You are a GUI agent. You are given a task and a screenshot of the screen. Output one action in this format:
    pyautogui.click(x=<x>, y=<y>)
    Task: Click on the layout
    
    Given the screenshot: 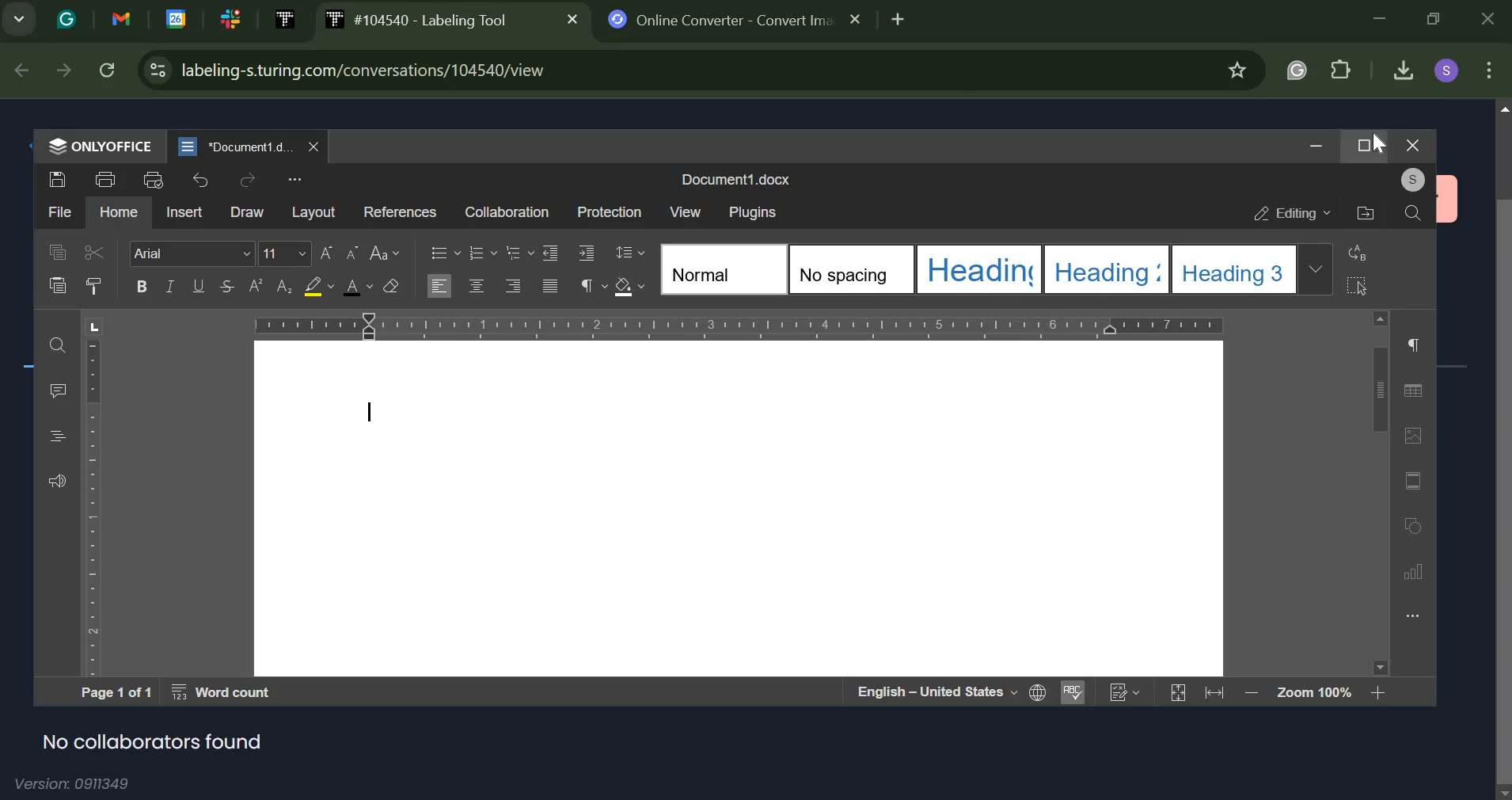 What is the action you would take?
    pyautogui.click(x=312, y=212)
    